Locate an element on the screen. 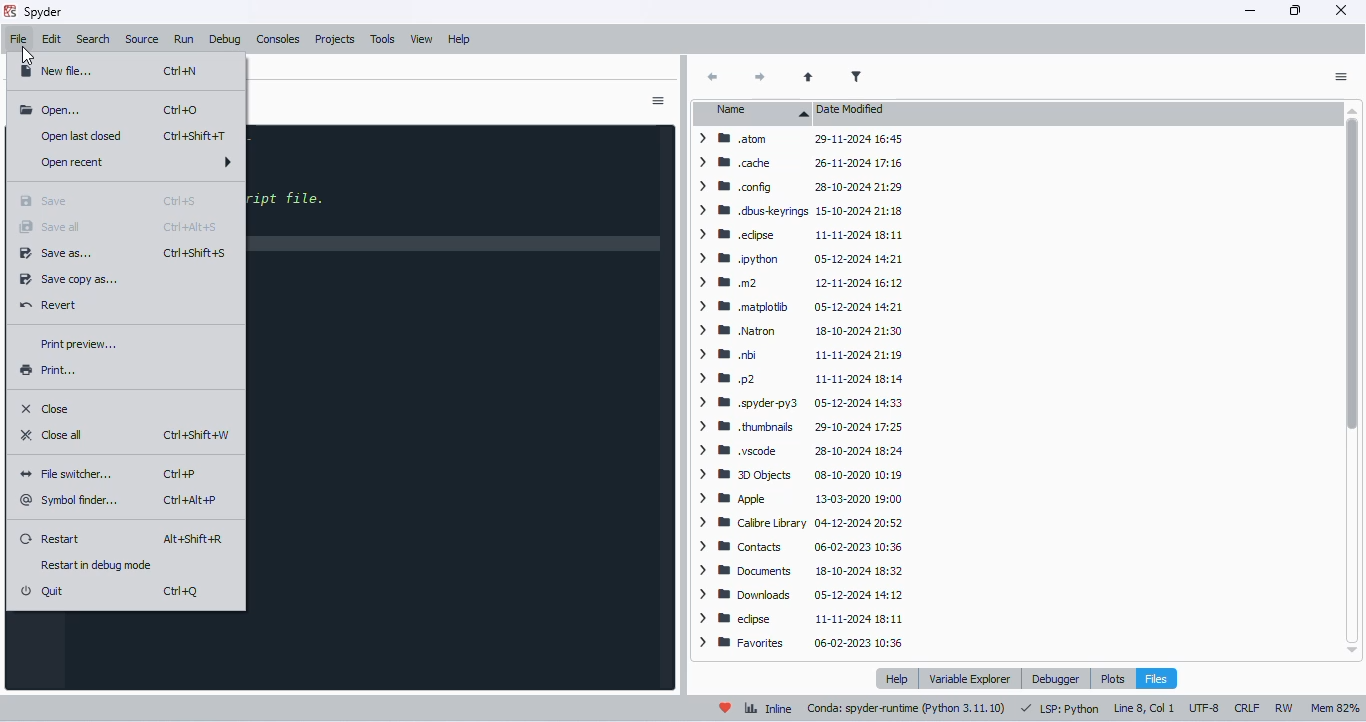 The height and width of the screenshot is (722, 1366). shortcut for save is located at coordinates (182, 200).